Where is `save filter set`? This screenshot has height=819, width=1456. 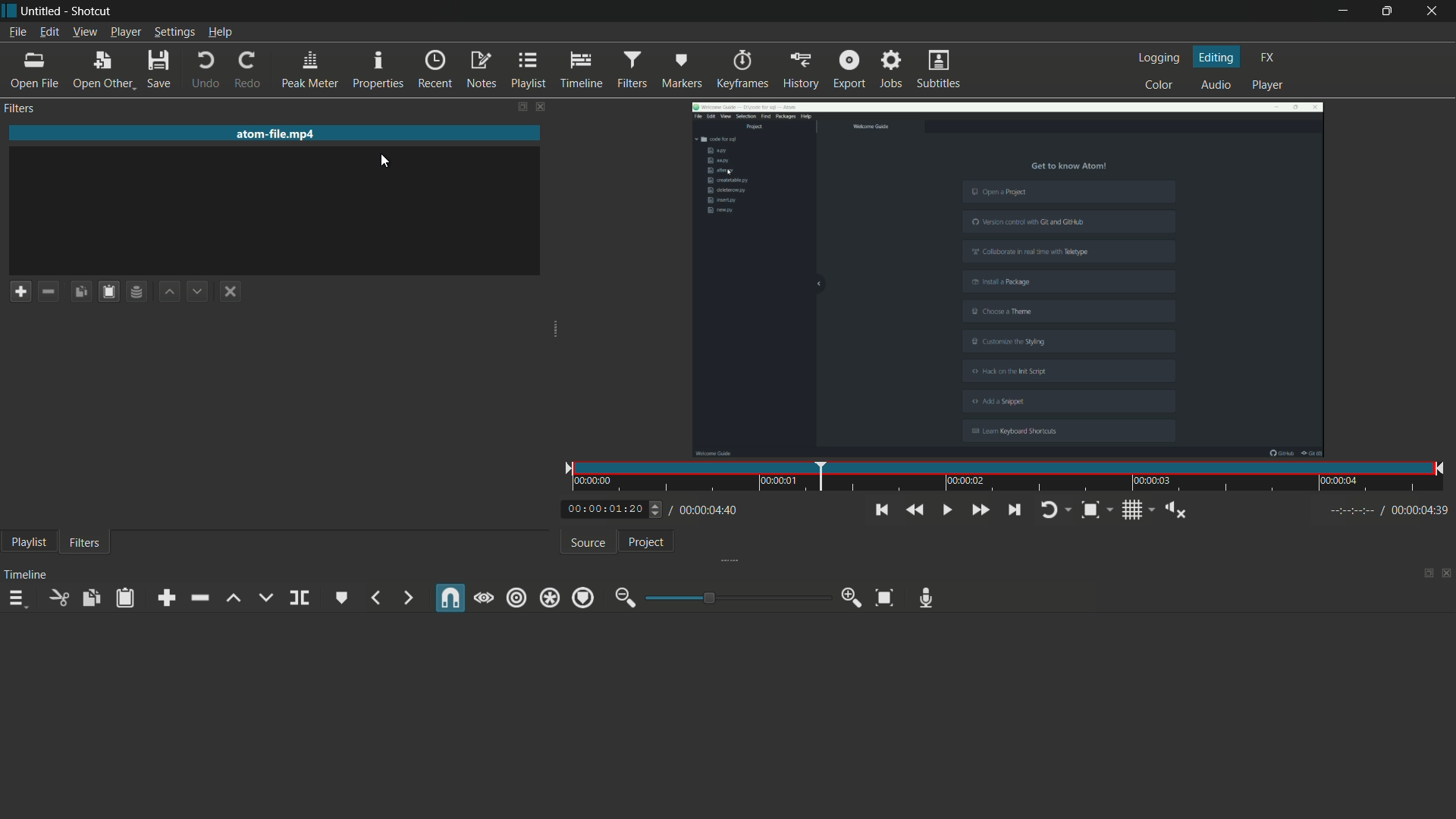 save filter set is located at coordinates (136, 290).